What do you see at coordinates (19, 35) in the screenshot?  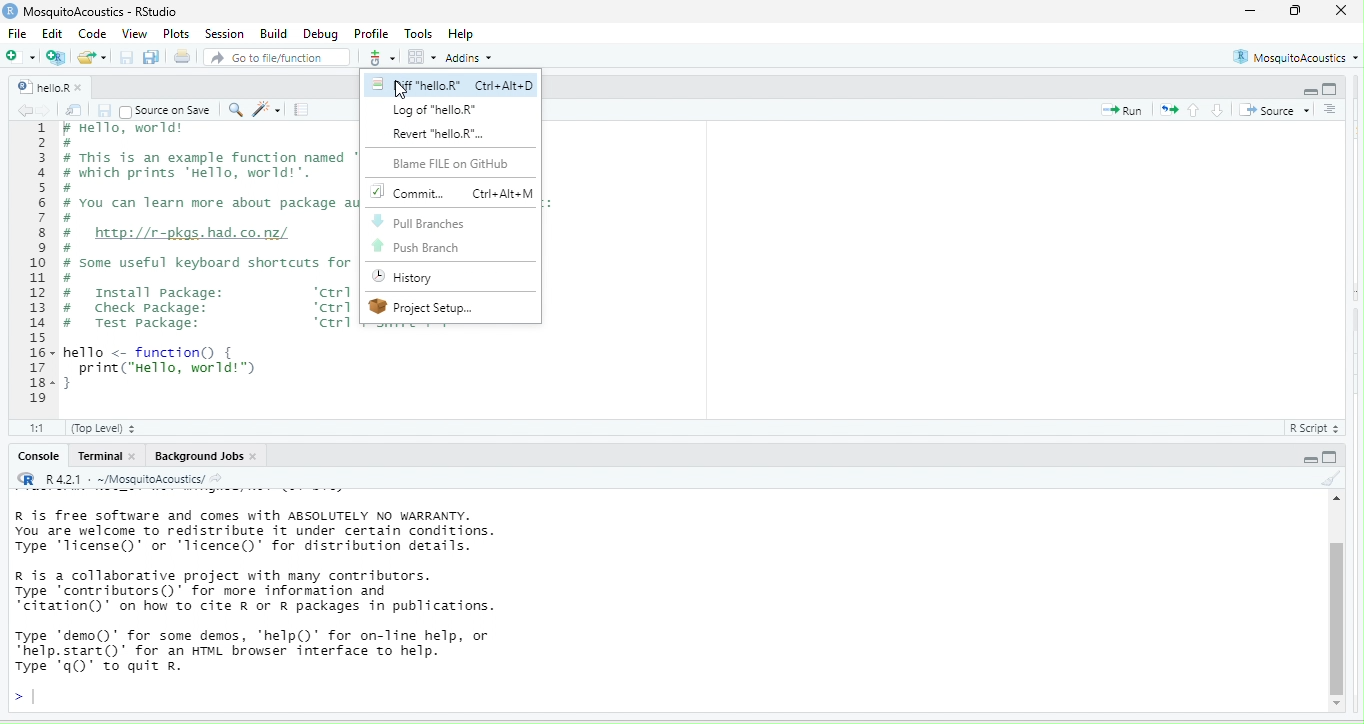 I see `File` at bounding box center [19, 35].